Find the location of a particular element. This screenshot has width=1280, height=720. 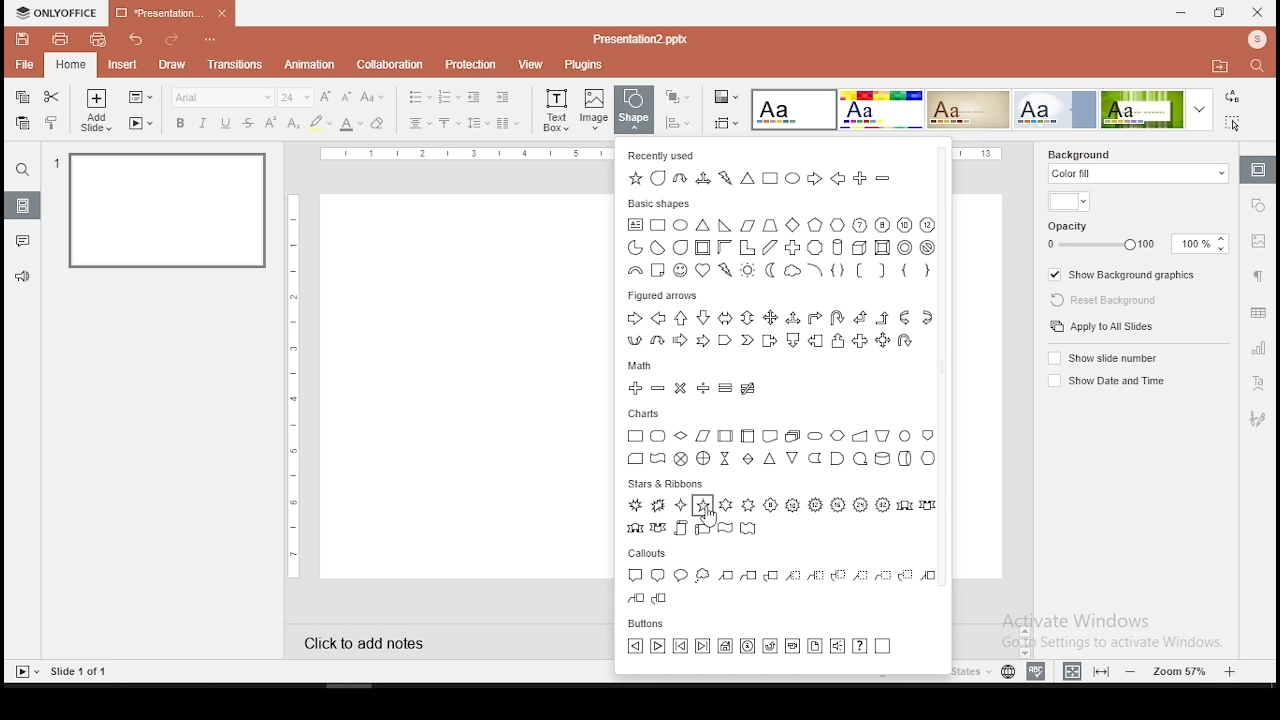

stars and ribbons is located at coordinates (781, 518).